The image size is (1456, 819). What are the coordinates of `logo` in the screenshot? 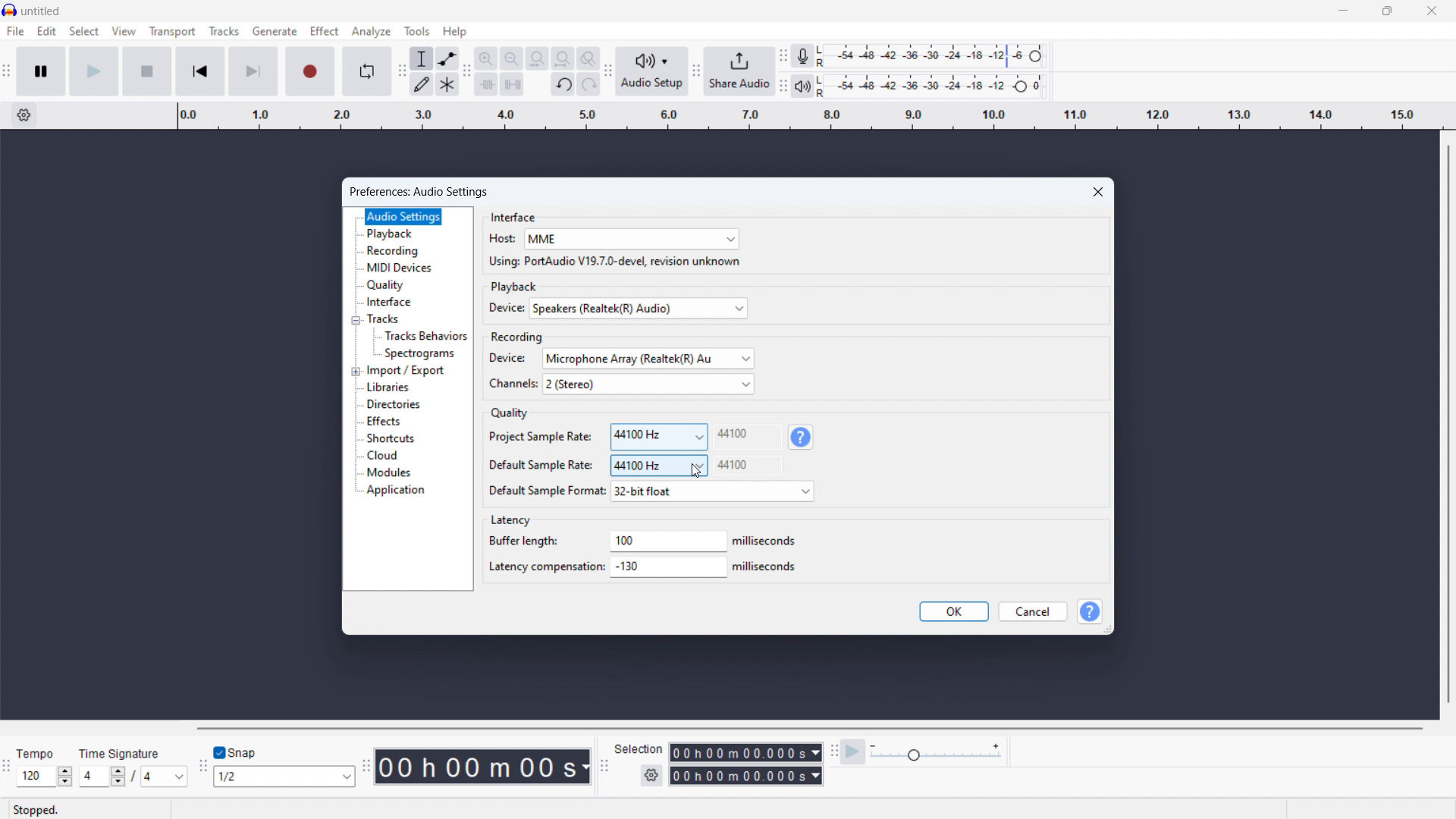 It's located at (10, 10).